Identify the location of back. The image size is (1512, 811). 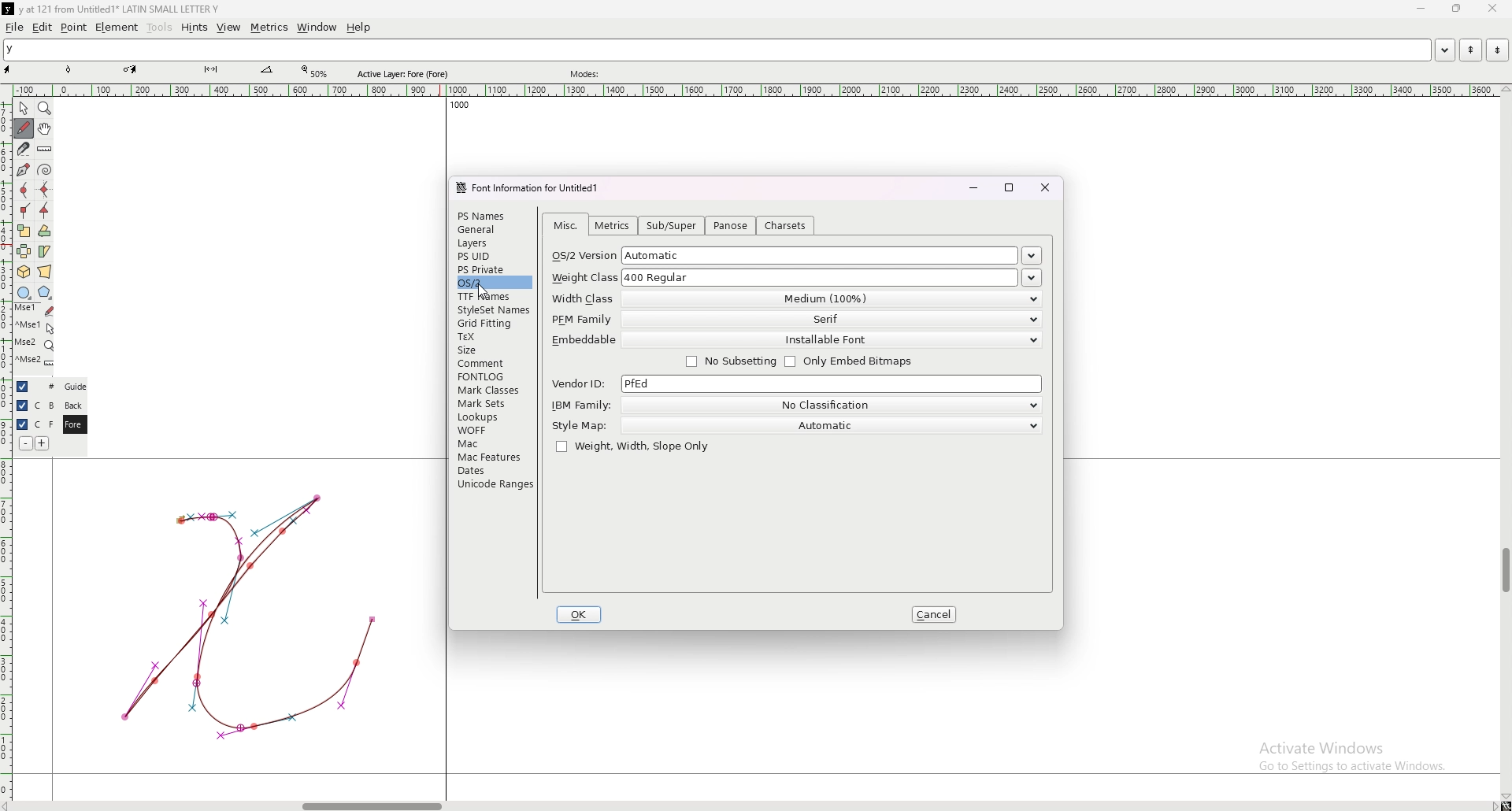
(73, 405).